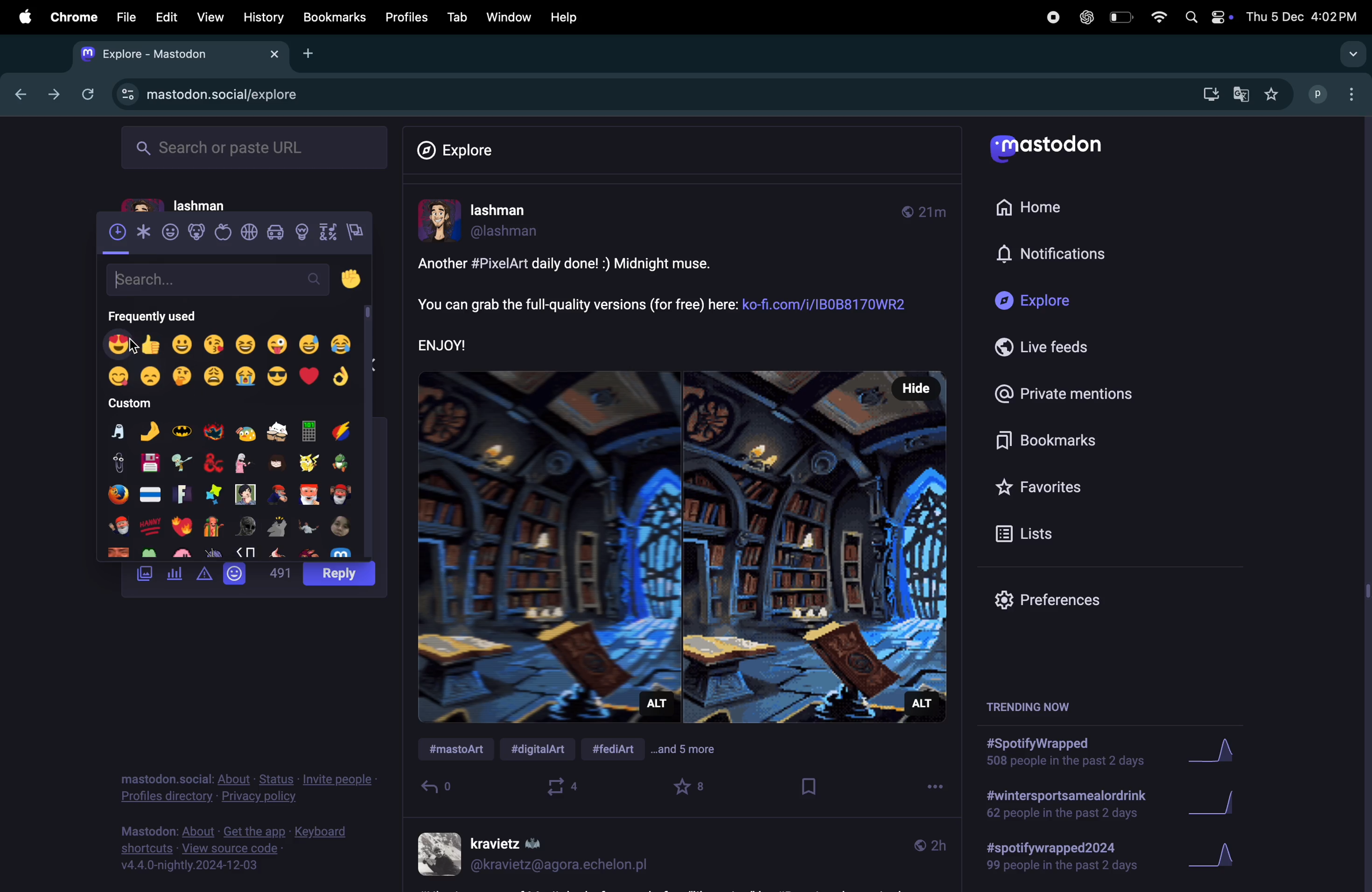 The width and height of the screenshot is (1372, 892). Describe the element at coordinates (929, 789) in the screenshot. I see `options` at that location.